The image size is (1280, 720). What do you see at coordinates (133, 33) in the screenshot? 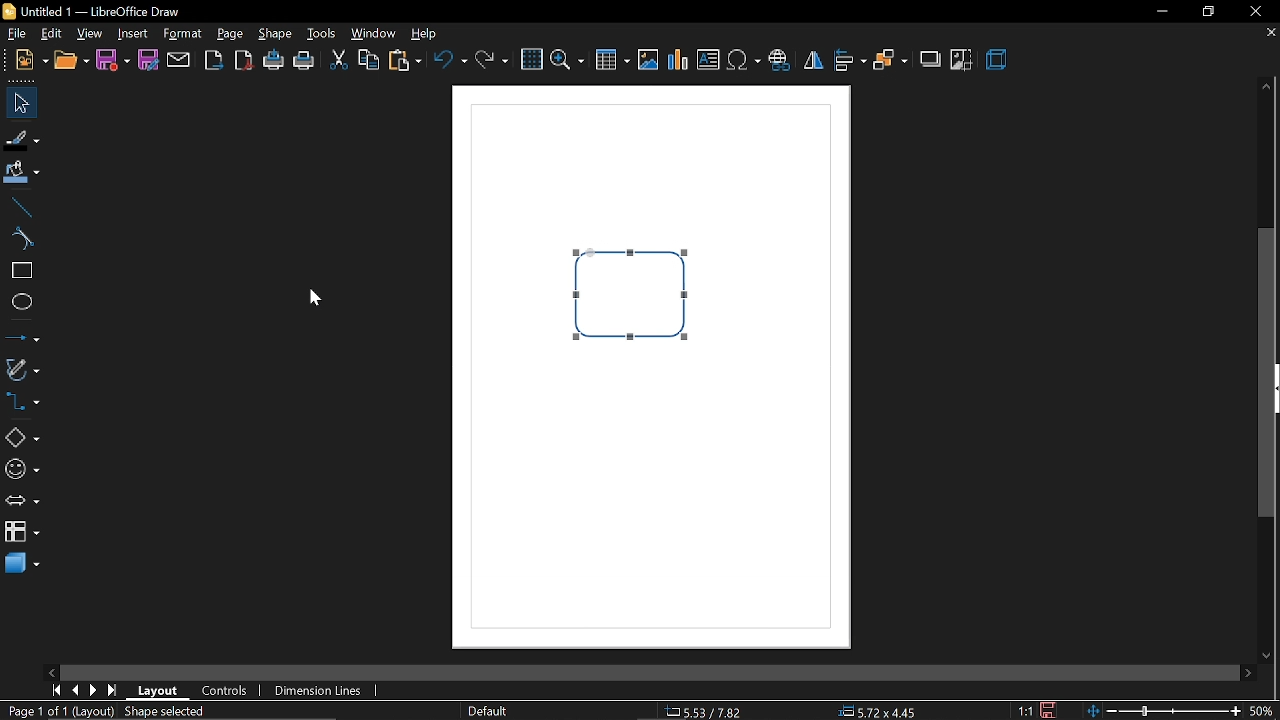
I see `insert` at bounding box center [133, 33].